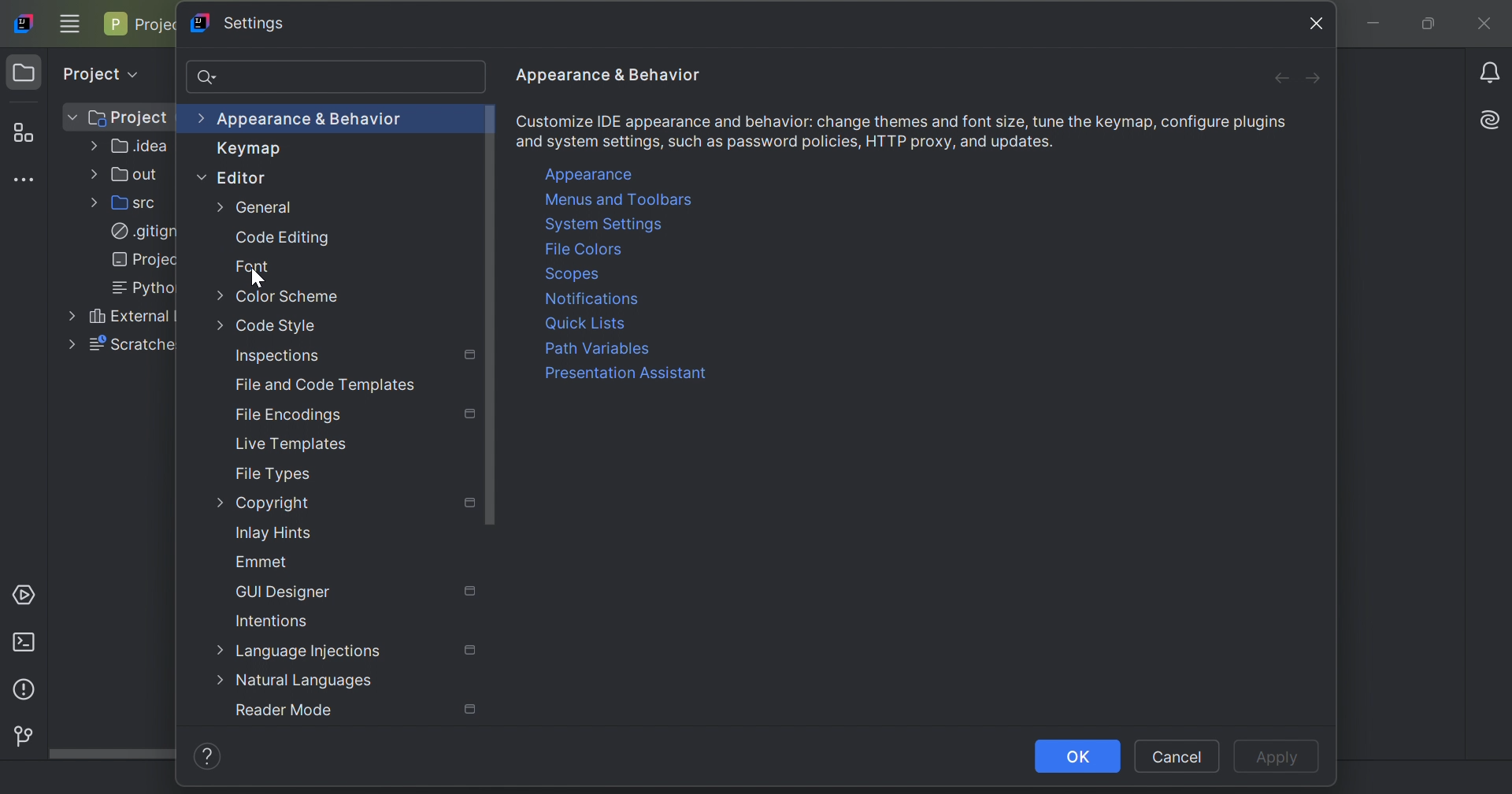  I want to click on Inlay hints, so click(275, 532).